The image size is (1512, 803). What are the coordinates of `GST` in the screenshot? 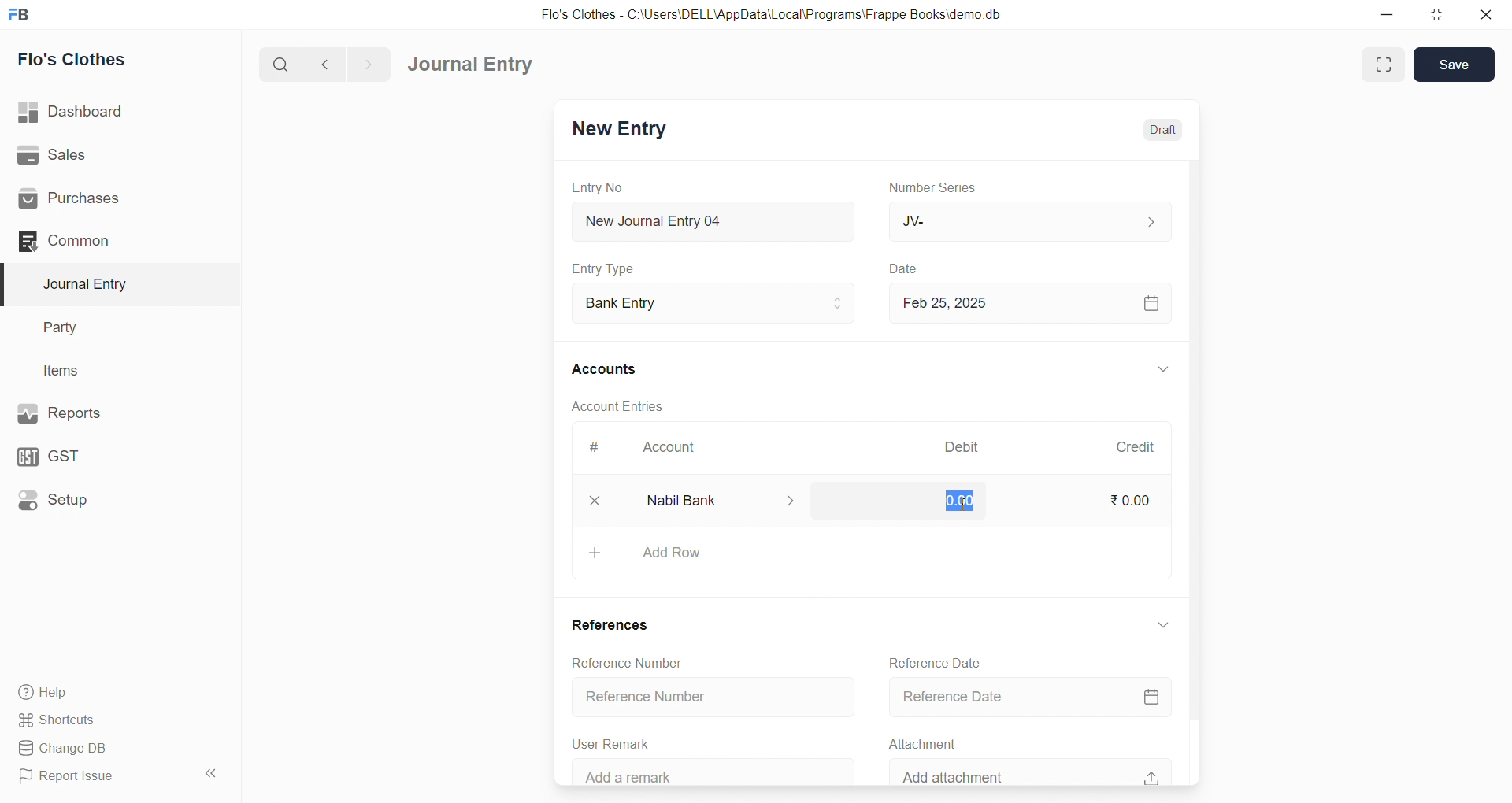 It's located at (109, 453).